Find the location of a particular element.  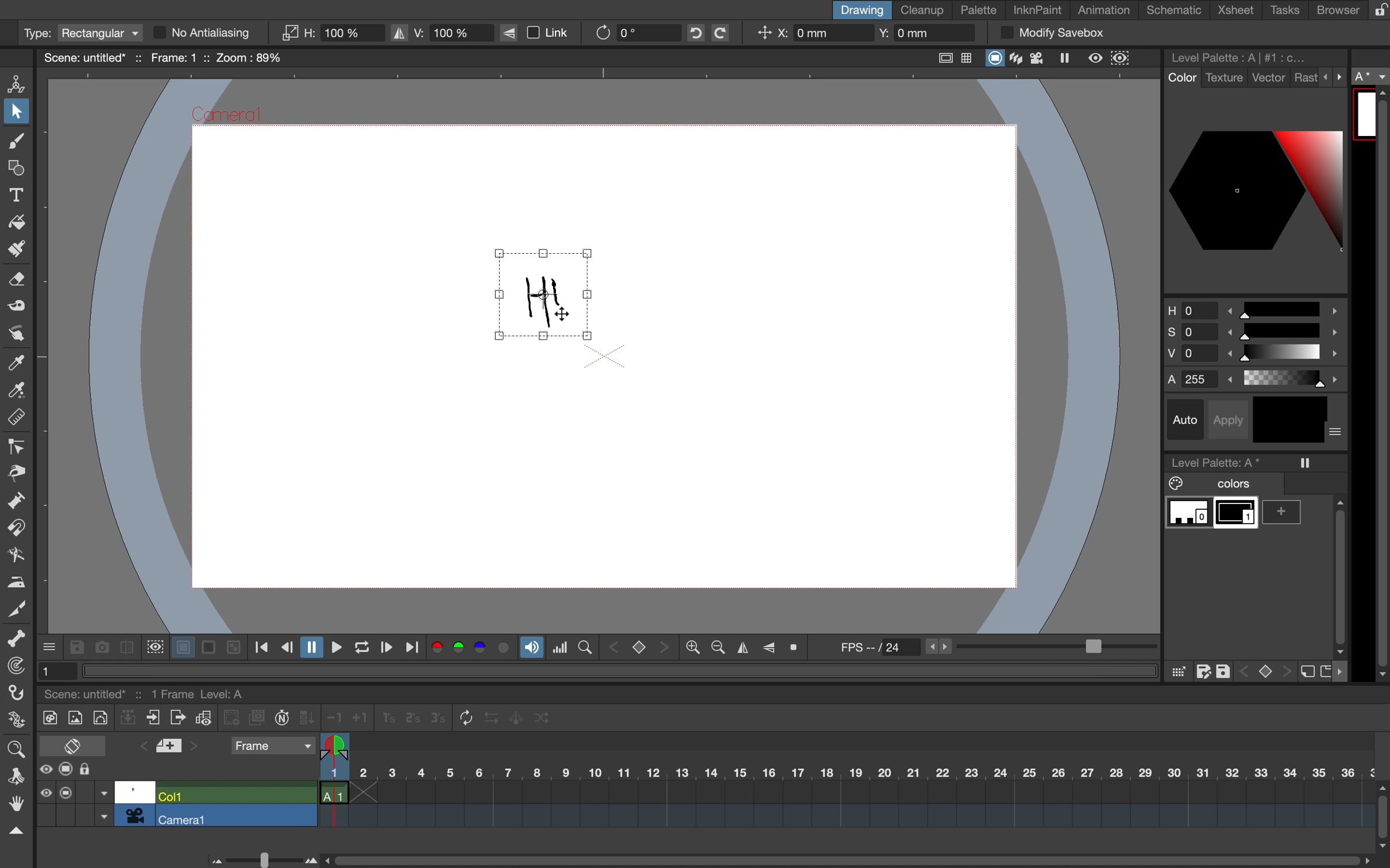

new page is located at coordinates (1325, 670).